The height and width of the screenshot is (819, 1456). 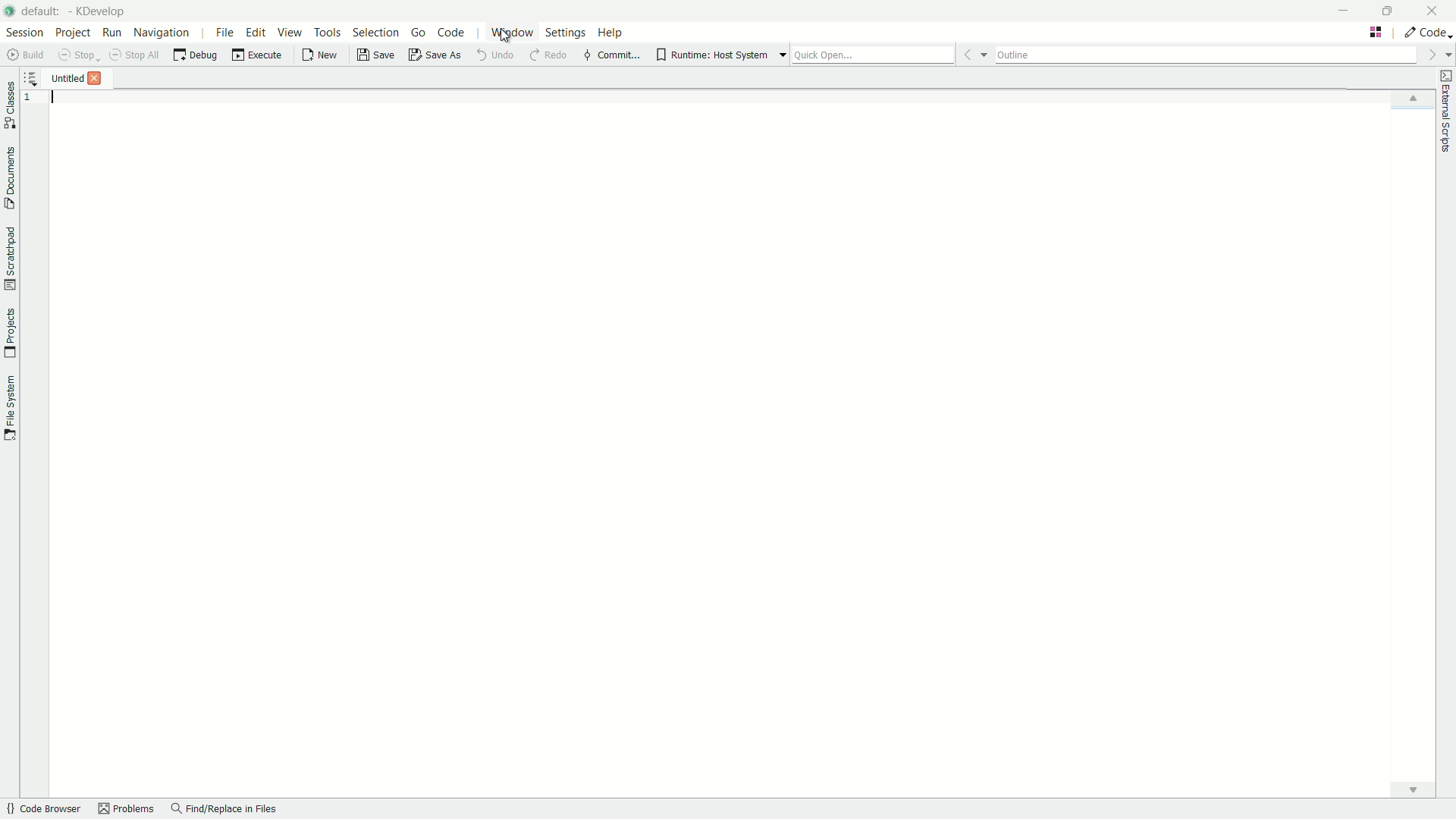 I want to click on file menu, so click(x=227, y=32).